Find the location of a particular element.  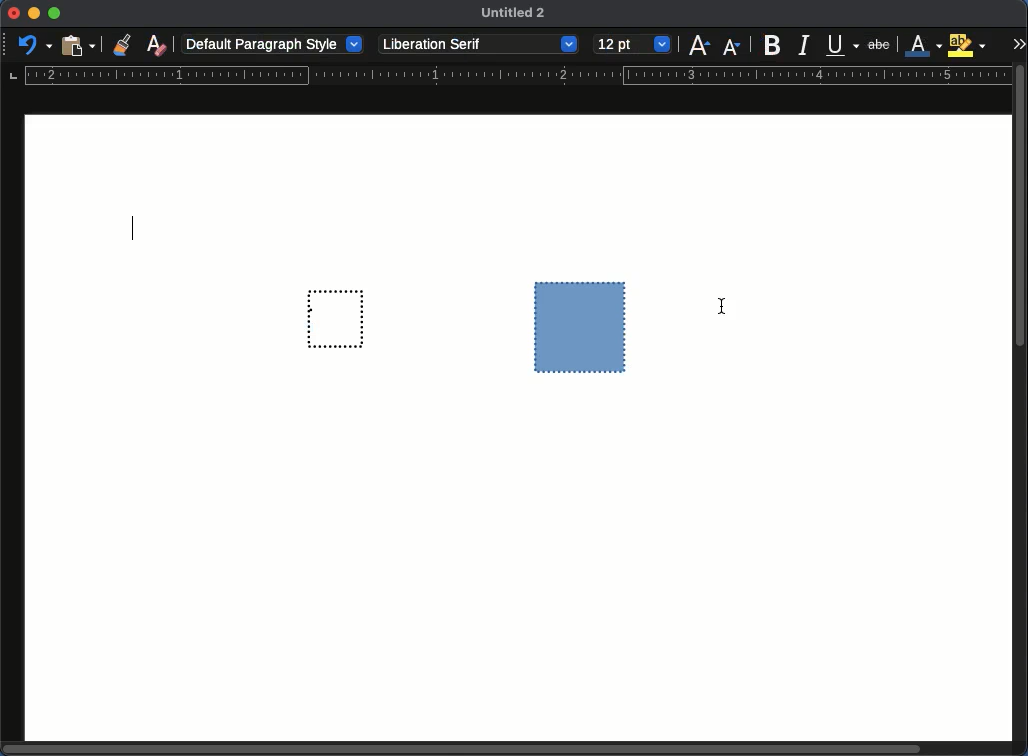

12 pt - size is located at coordinates (632, 44).